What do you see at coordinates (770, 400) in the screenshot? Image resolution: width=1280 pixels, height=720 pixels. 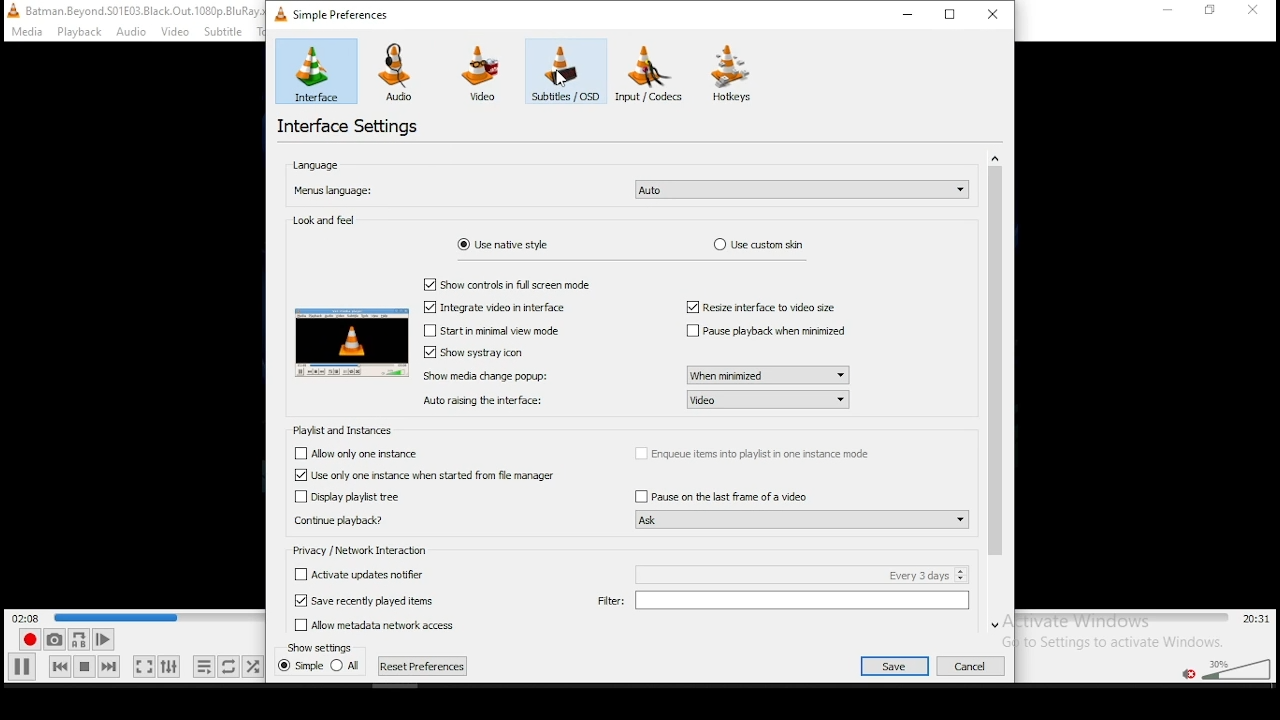 I see `` at bounding box center [770, 400].